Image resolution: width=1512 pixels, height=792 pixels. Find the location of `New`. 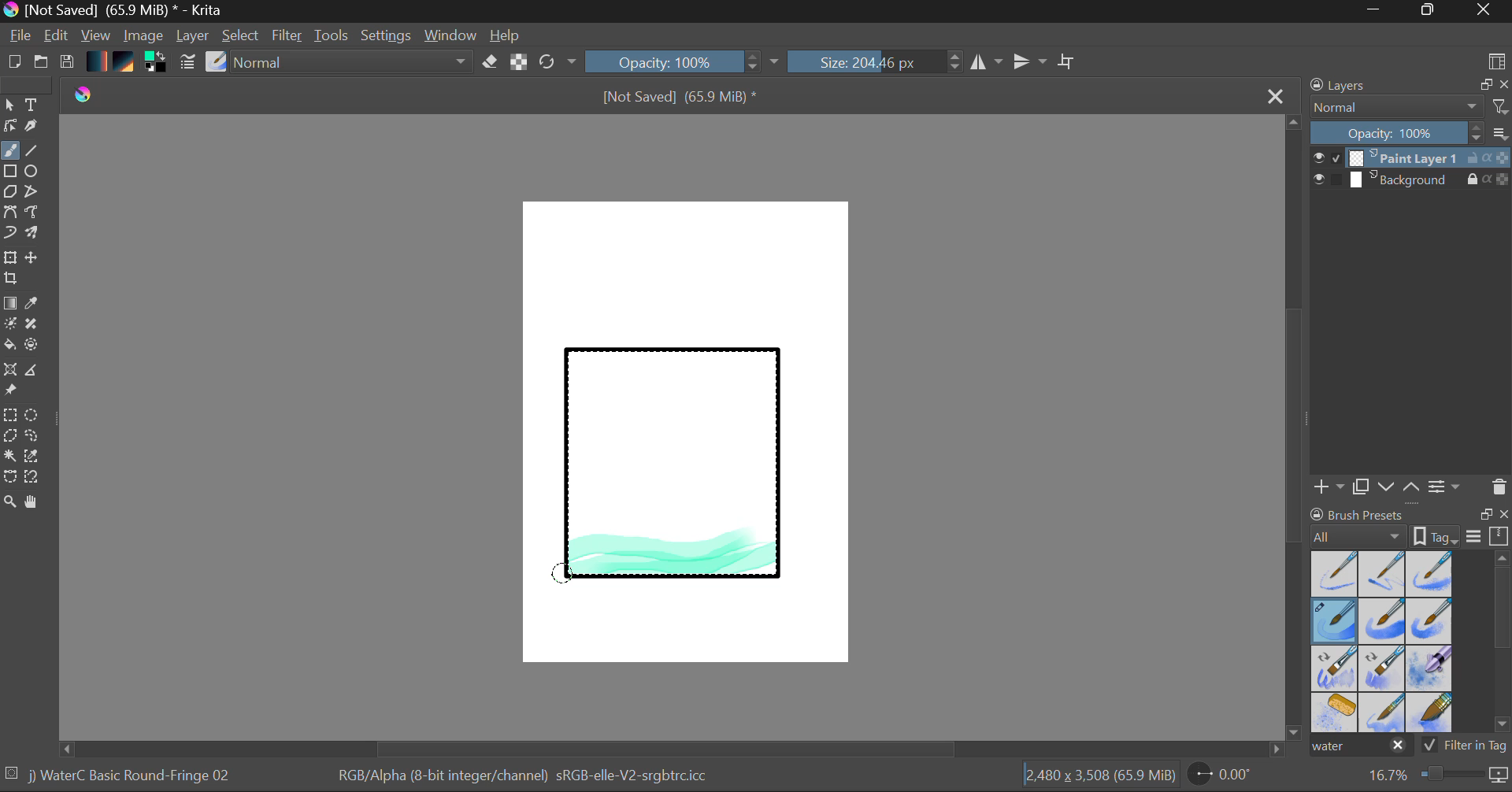

New is located at coordinates (13, 64).